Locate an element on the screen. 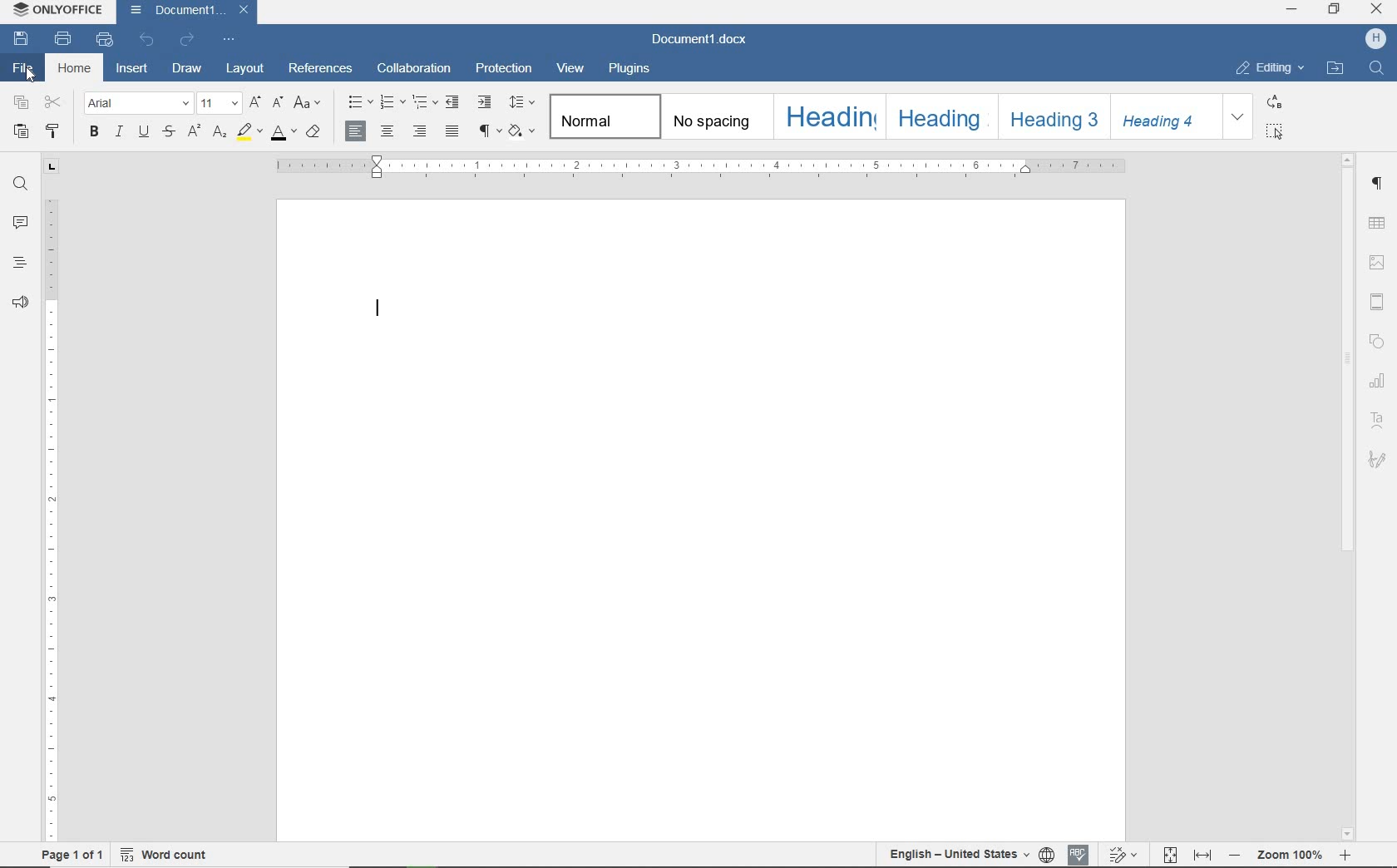  Normal is located at coordinates (603, 116).